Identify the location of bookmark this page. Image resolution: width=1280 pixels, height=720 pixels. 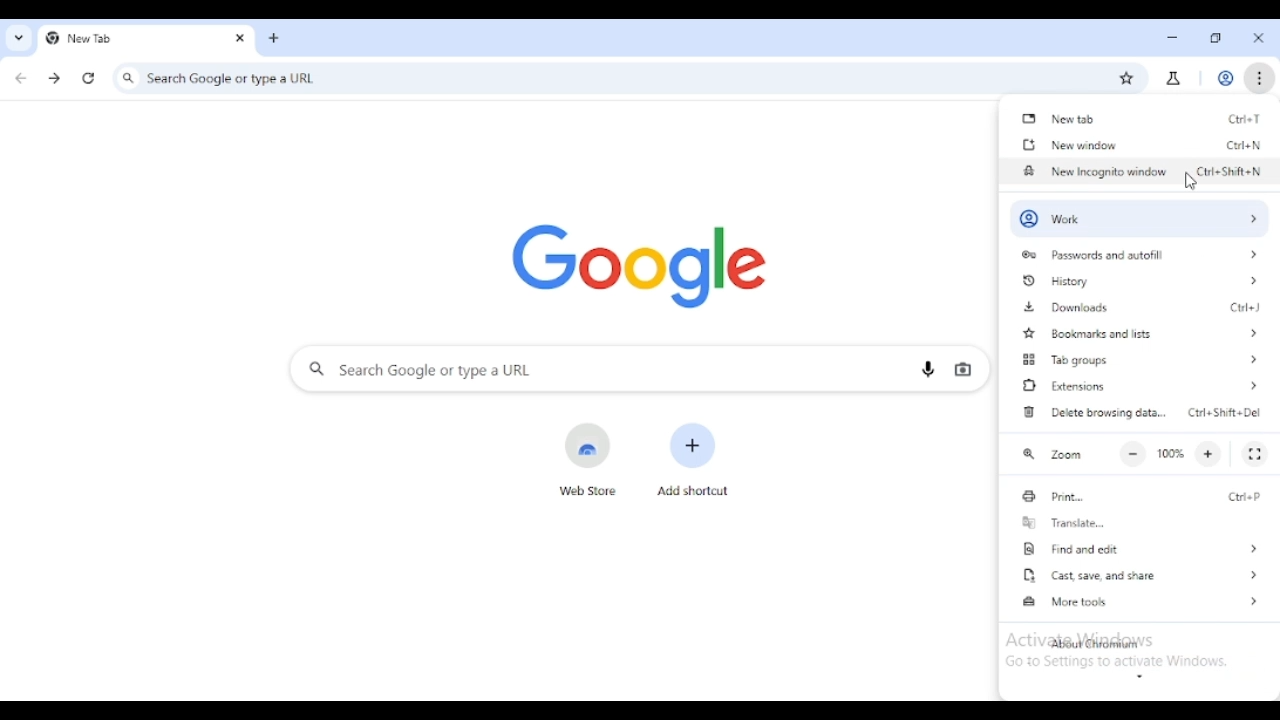
(1126, 79).